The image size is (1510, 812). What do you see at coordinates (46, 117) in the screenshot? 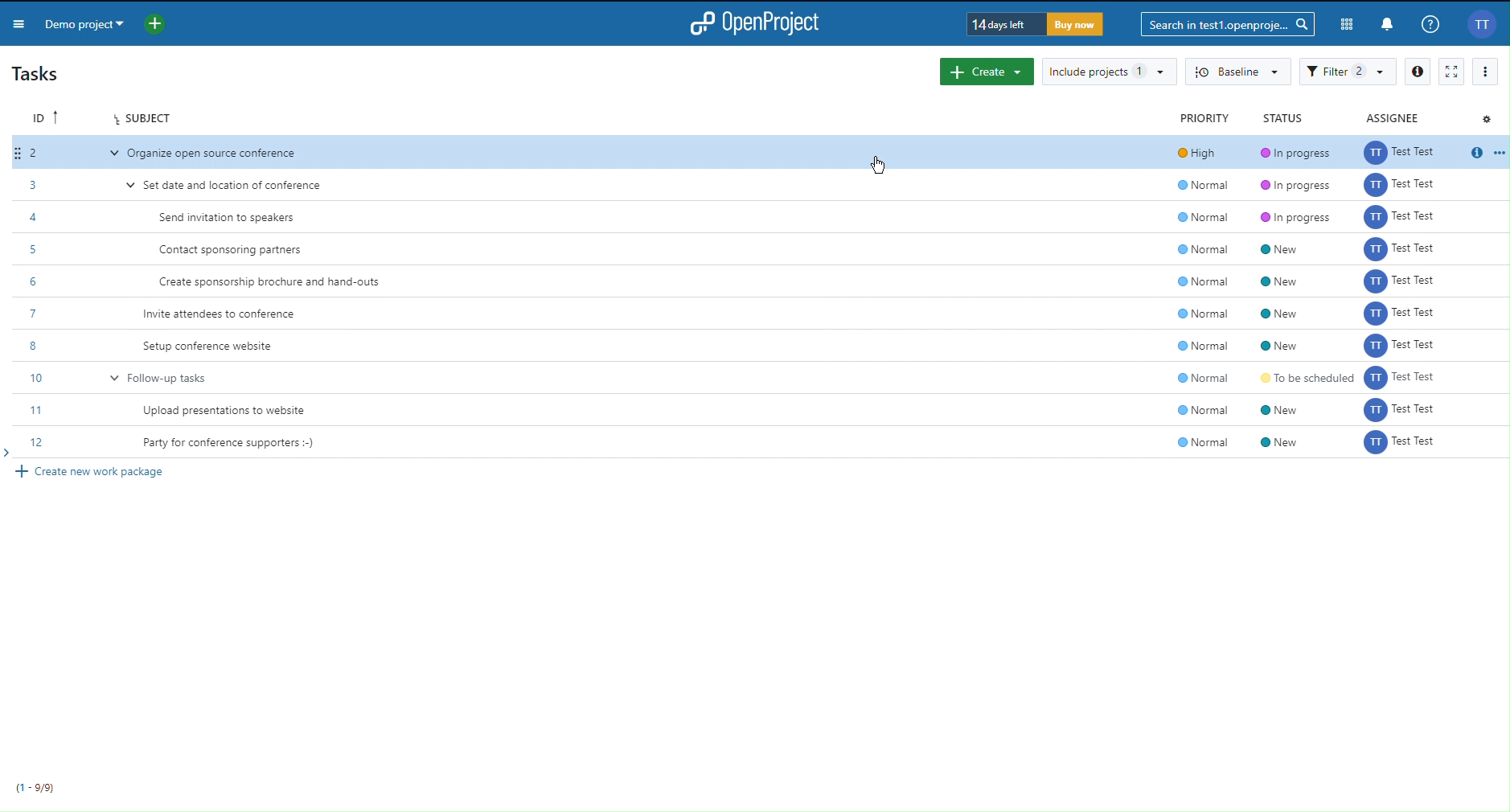
I see `ID` at bounding box center [46, 117].